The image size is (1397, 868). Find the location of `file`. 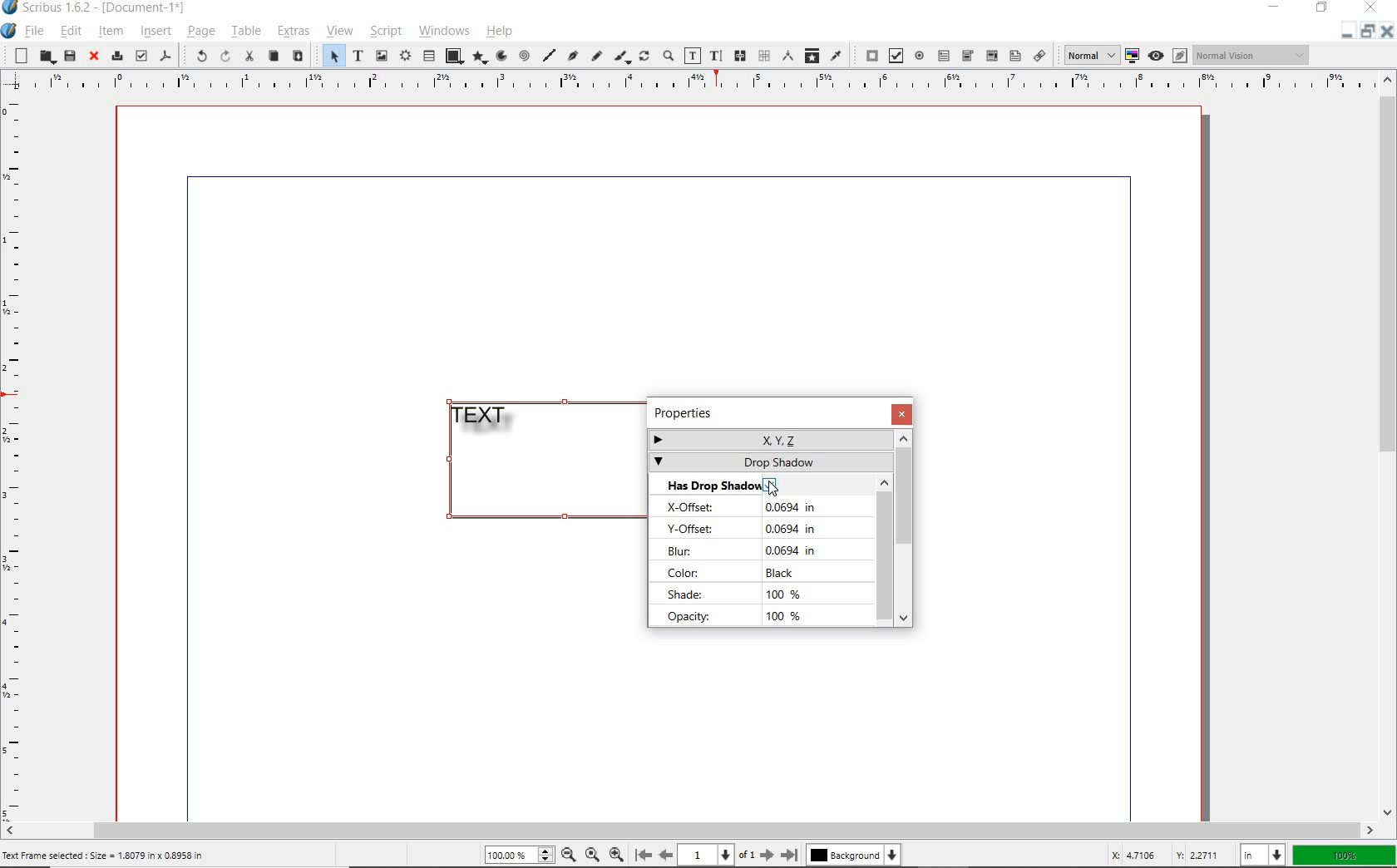

file is located at coordinates (34, 31).